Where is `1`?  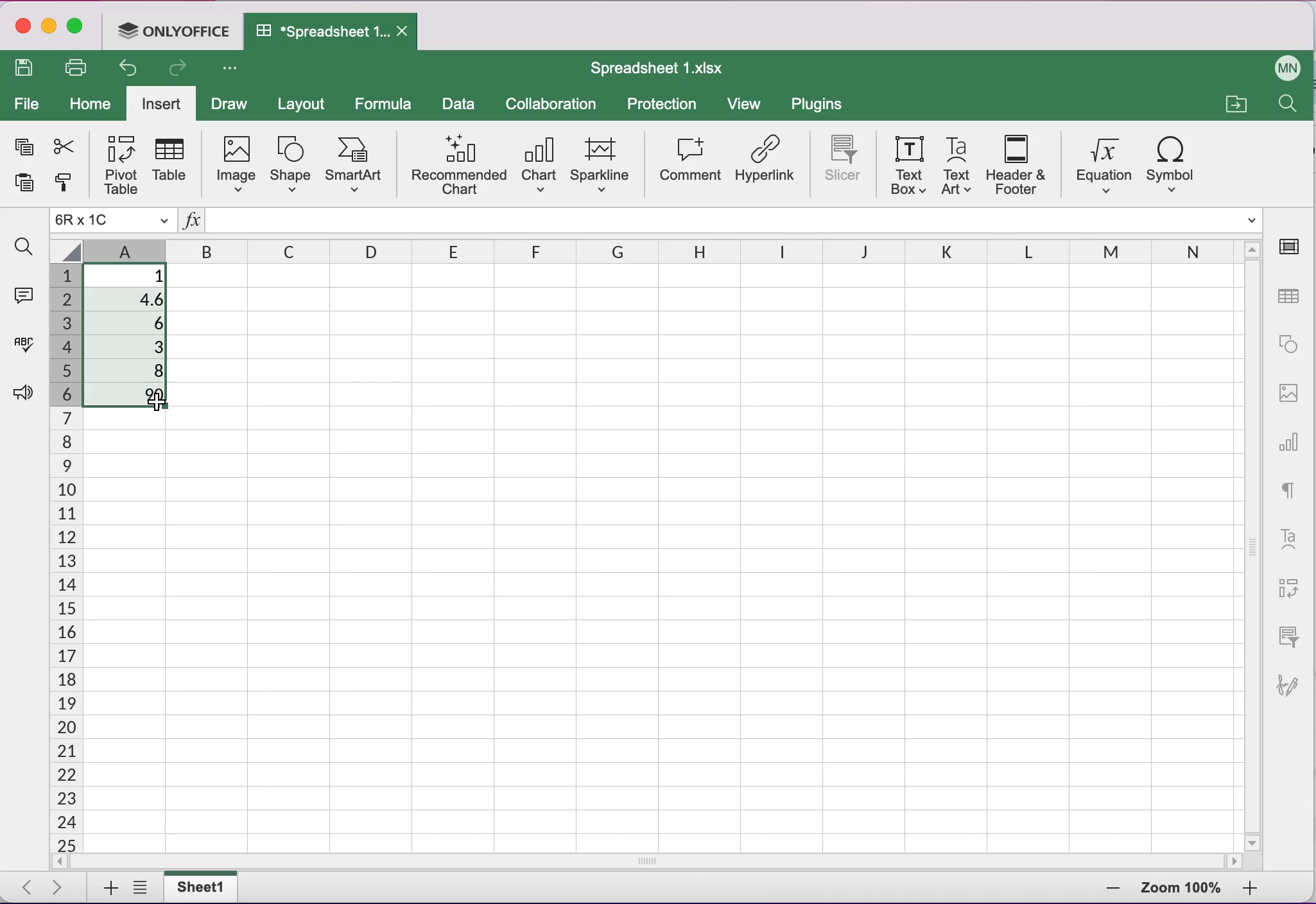 1 is located at coordinates (126, 275).